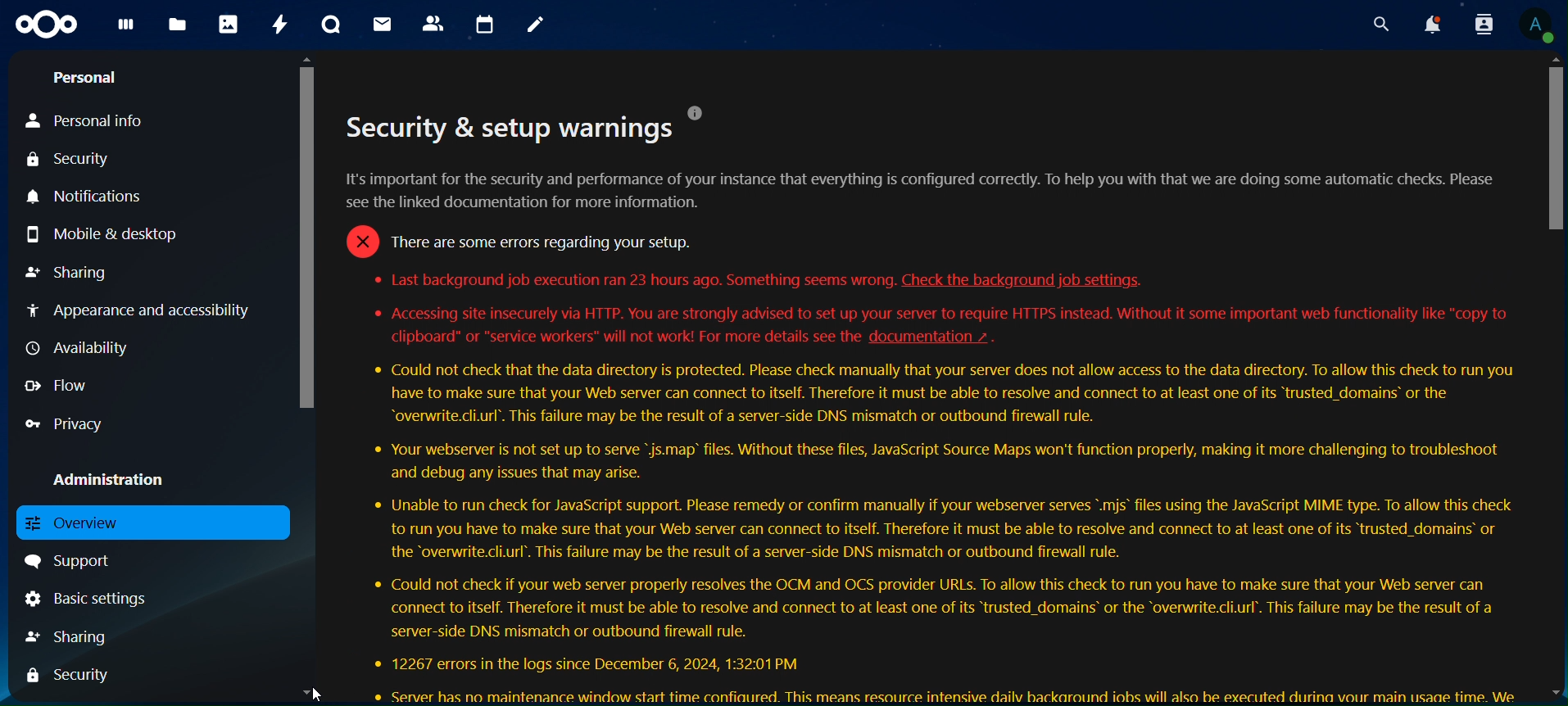 The image size is (1568, 706). What do you see at coordinates (108, 197) in the screenshot?
I see `notifications` at bounding box center [108, 197].